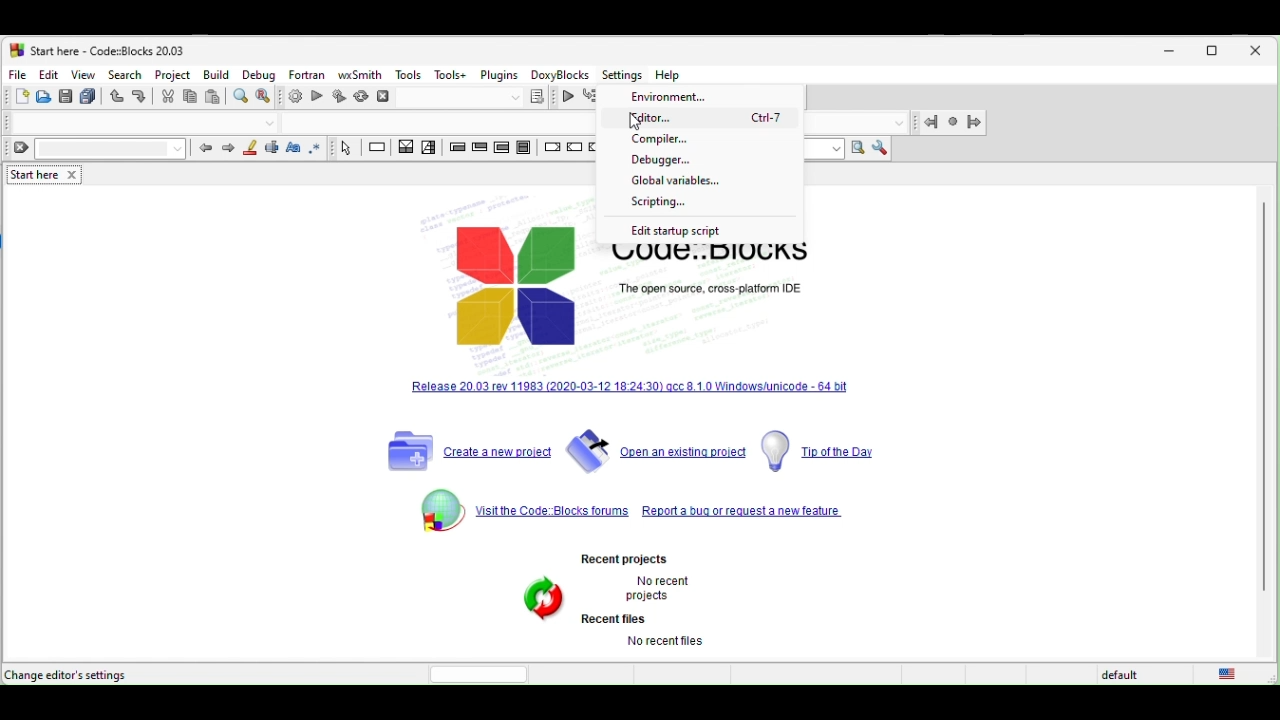 This screenshot has width=1280, height=720. I want to click on doxyblocks, so click(562, 75).